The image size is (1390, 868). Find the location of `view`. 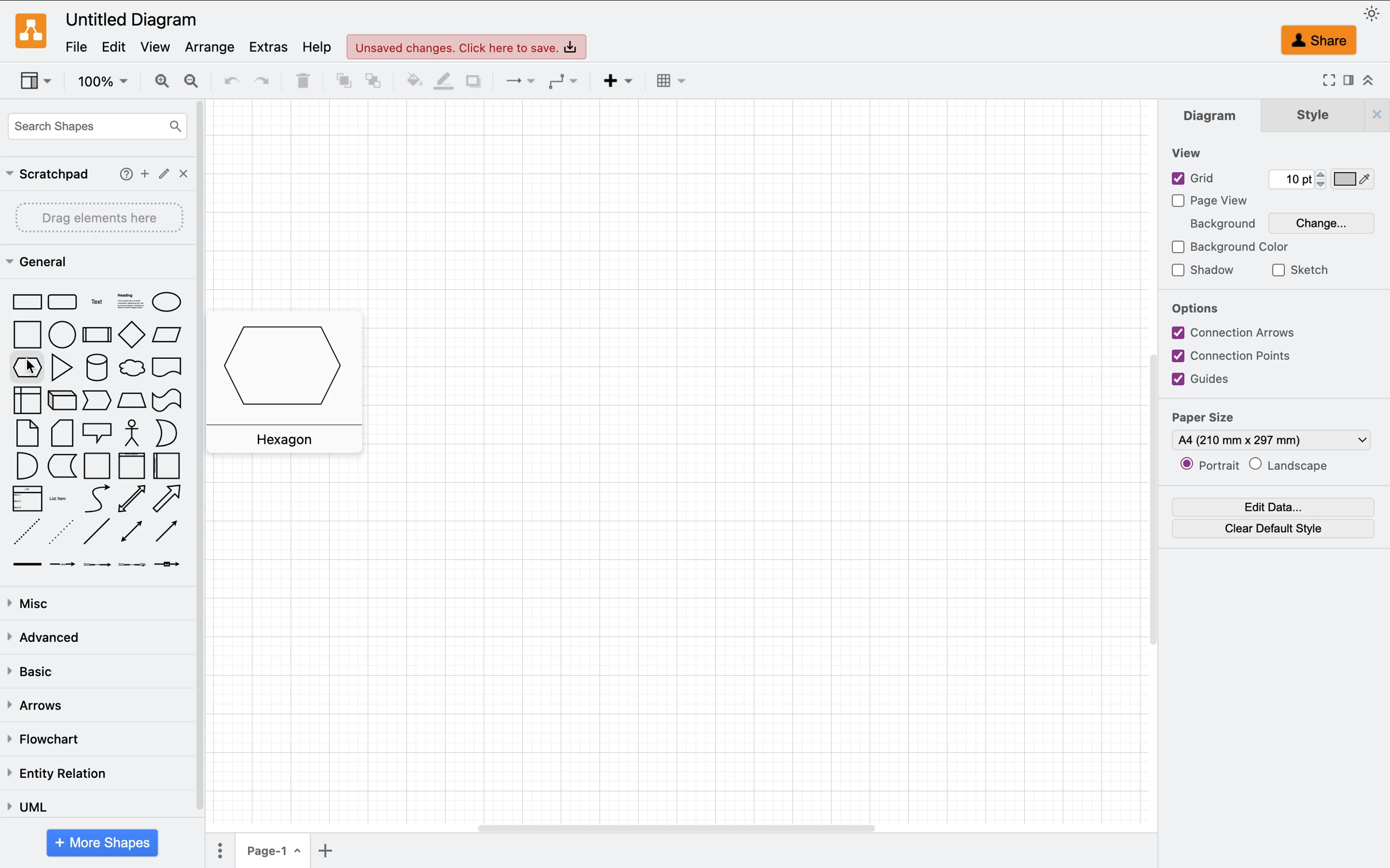

view is located at coordinates (37, 82).